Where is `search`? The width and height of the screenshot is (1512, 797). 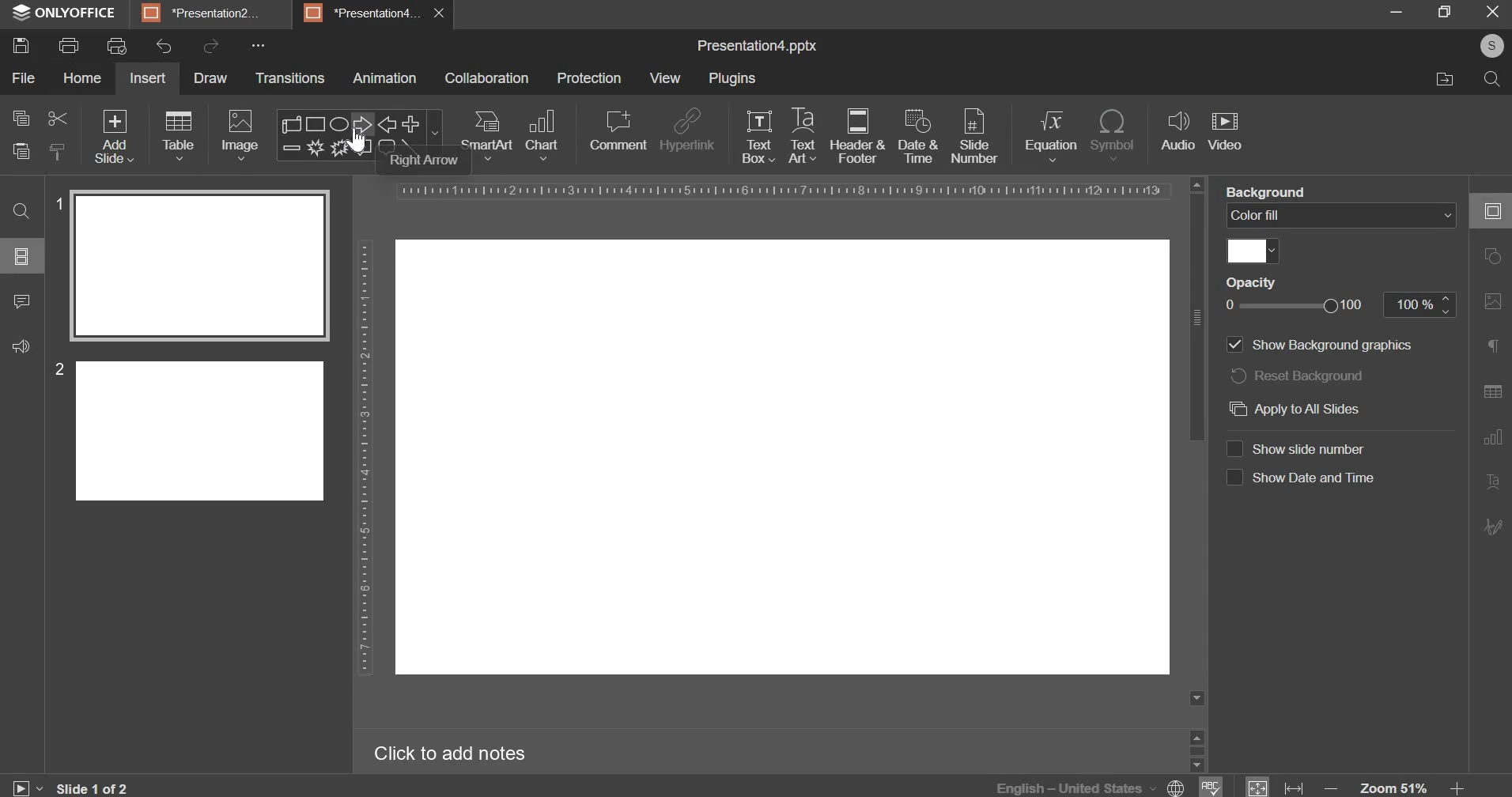
search is located at coordinates (1487, 77).